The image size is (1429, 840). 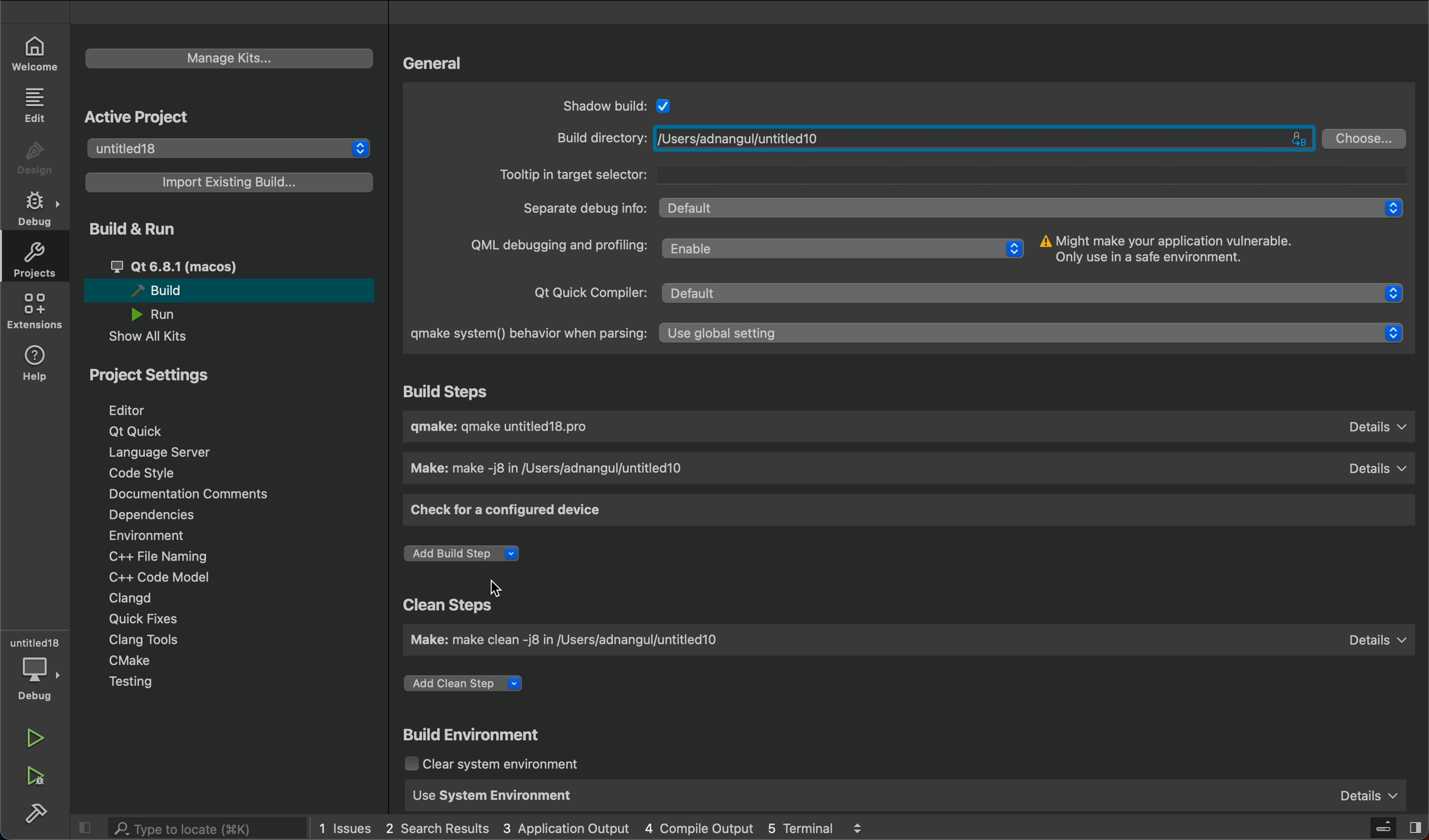 What do you see at coordinates (948, 175) in the screenshot?
I see `Tooltip in target selector:` at bounding box center [948, 175].